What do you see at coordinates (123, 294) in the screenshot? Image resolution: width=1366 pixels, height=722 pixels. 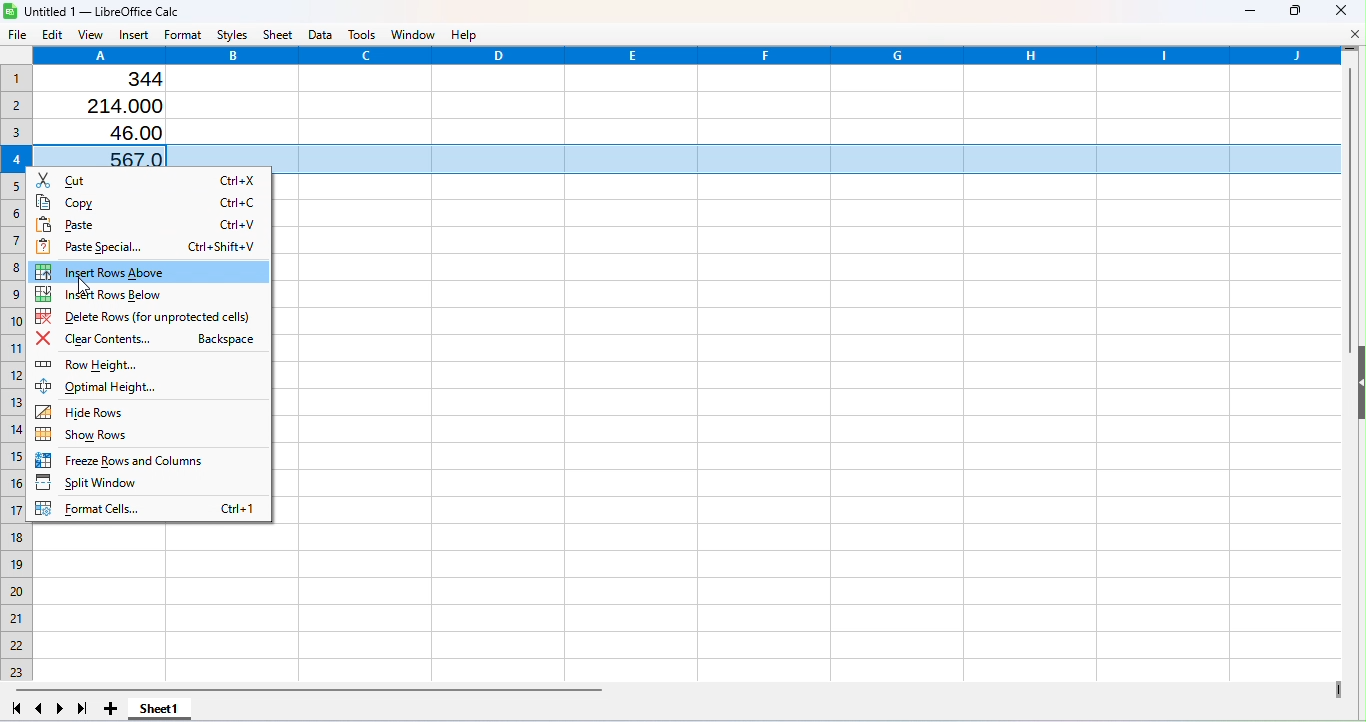 I see `Insert rows below` at bounding box center [123, 294].